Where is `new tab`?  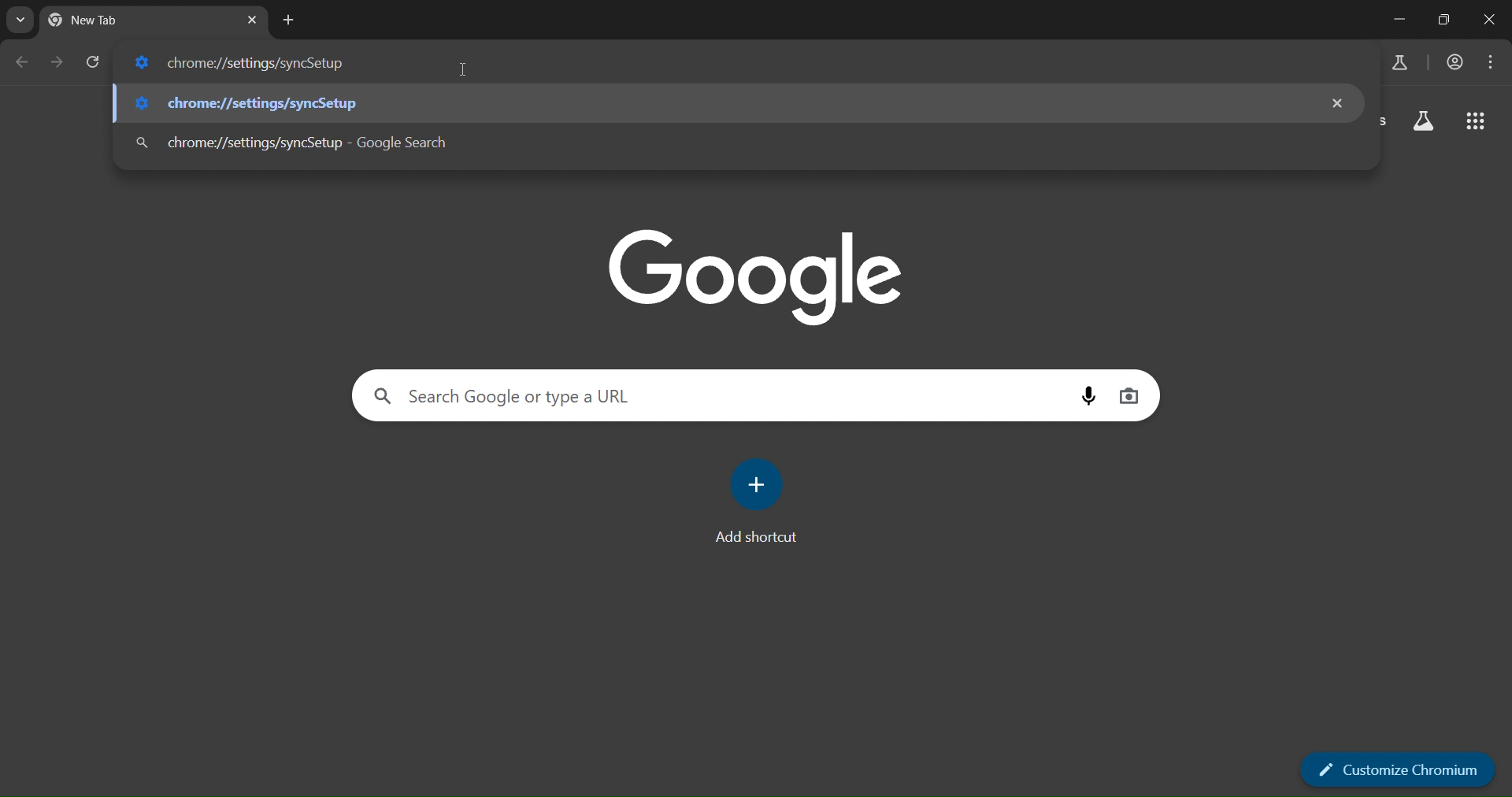
new tab is located at coordinates (292, 20).